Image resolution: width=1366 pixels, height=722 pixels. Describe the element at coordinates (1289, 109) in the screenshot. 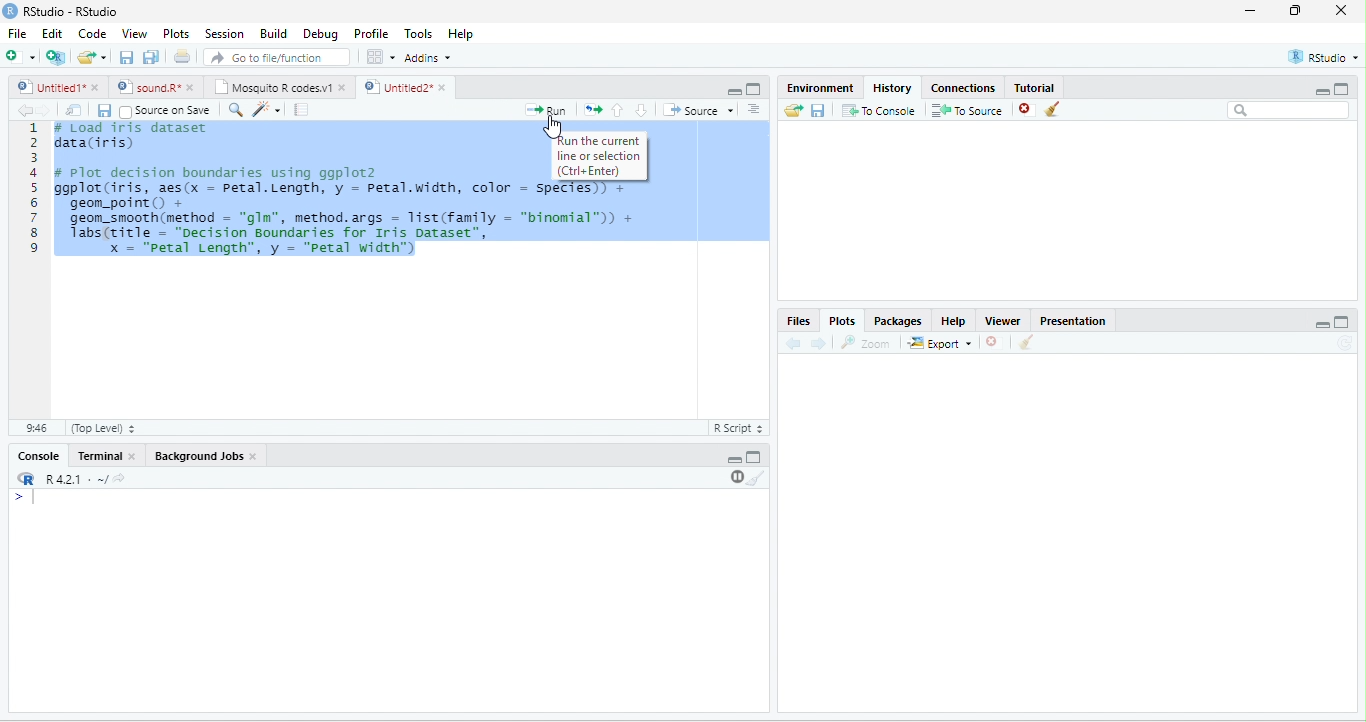

I see `search bar` at that location.